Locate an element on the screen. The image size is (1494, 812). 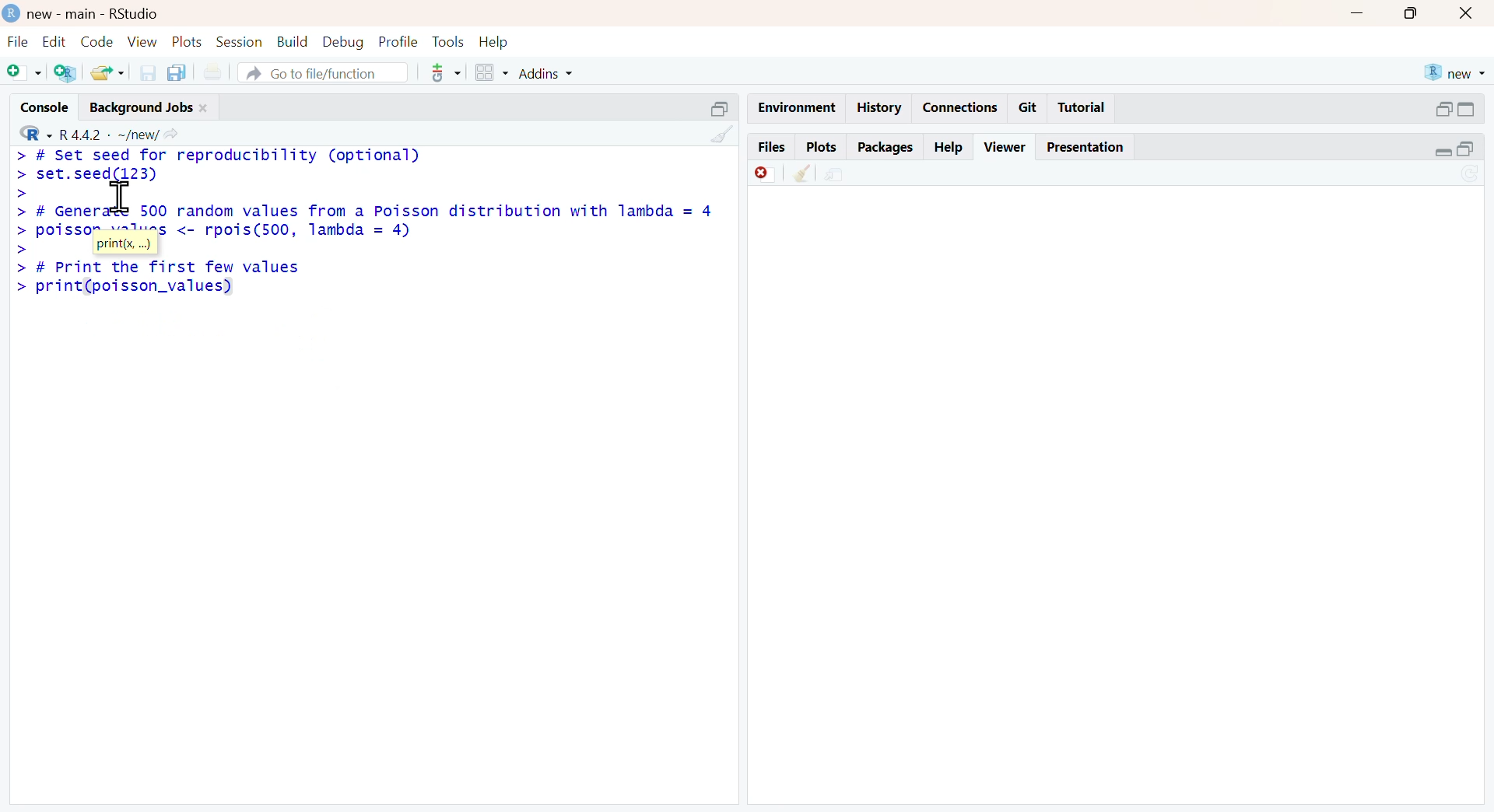
maximise is located at coordinates (1412, 12).